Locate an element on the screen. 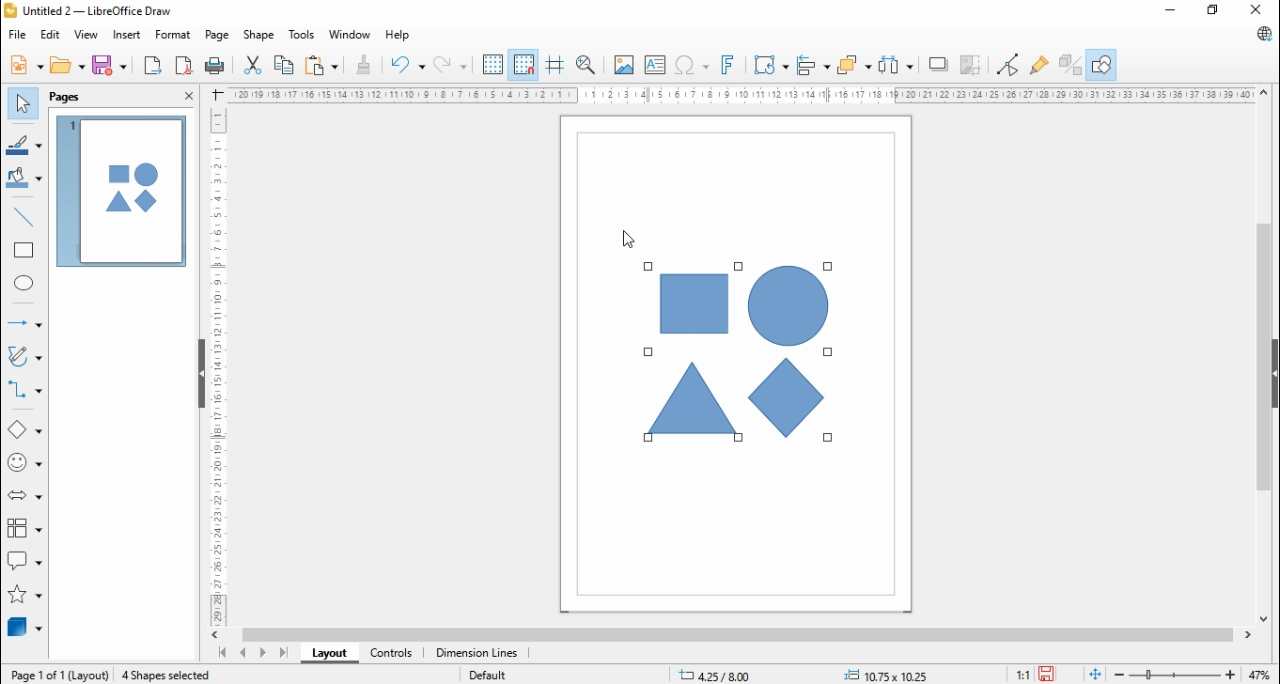 This screenshot has height=684, width=1280. page 1 is located at coordinates (121, 192).